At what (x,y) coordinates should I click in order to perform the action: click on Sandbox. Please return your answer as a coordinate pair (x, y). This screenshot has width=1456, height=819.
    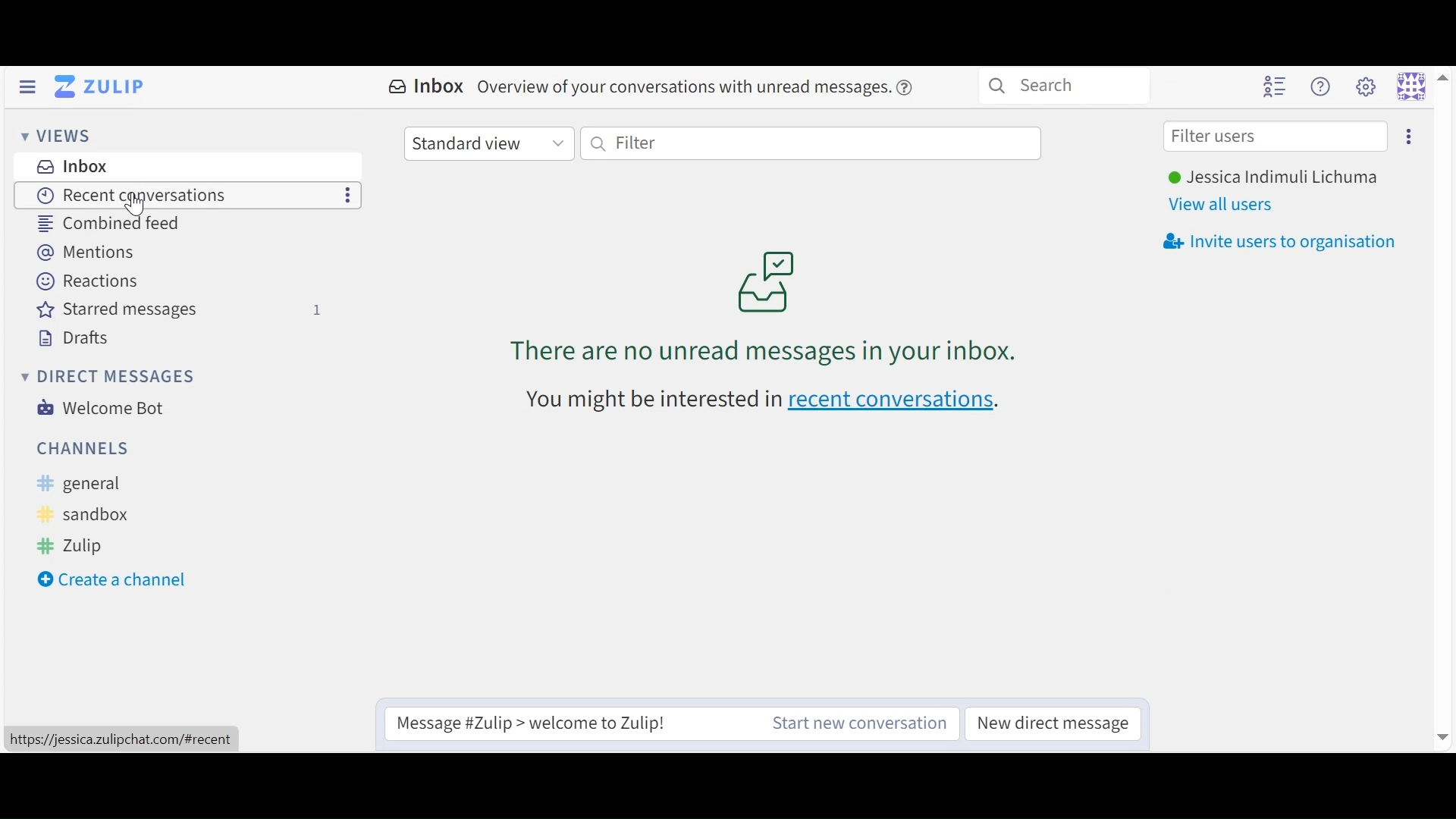
    Looking at the image, I should click on (89, 515).